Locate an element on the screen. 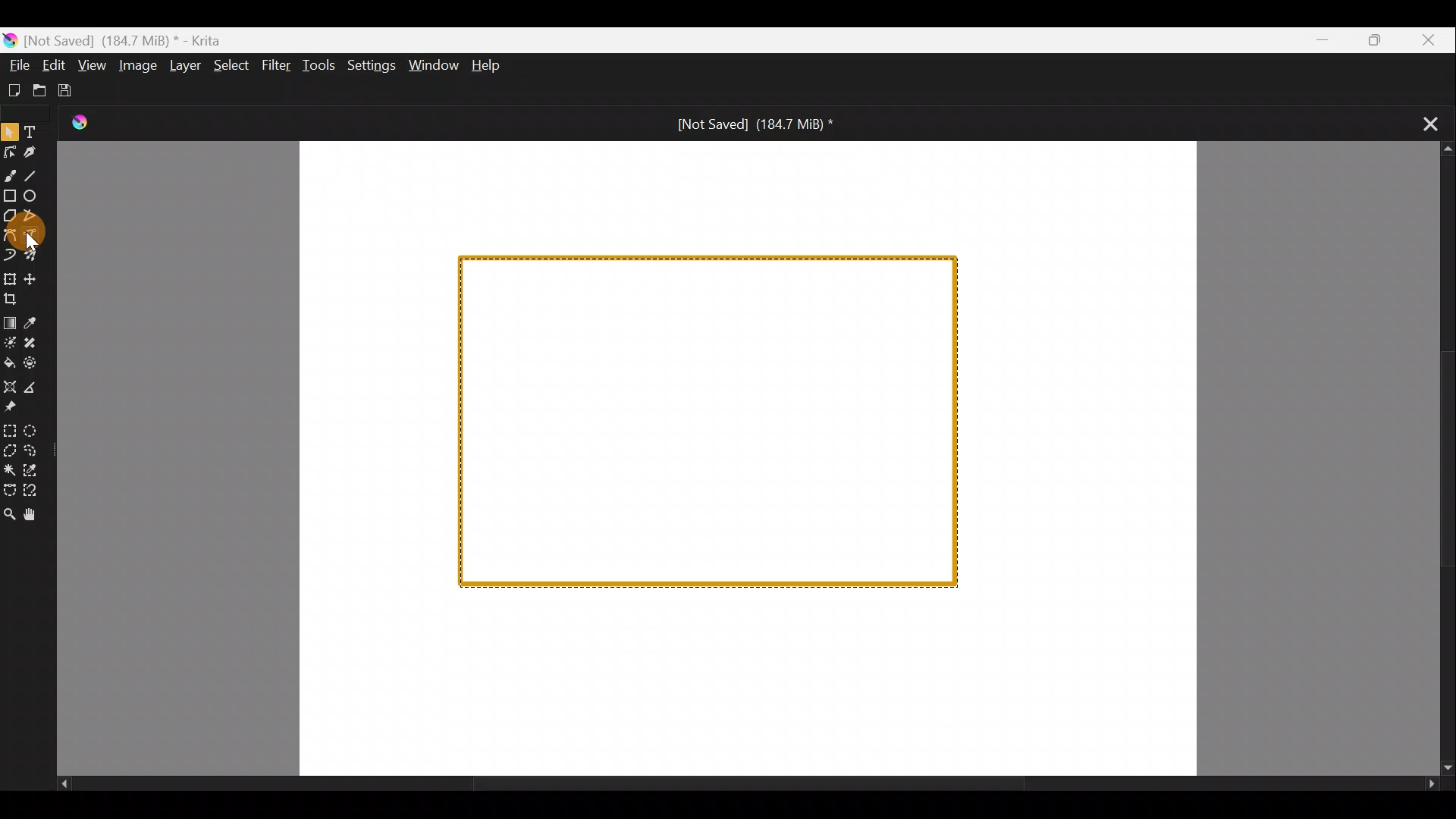  Rectangle tool is located at coordinates (9, 196).